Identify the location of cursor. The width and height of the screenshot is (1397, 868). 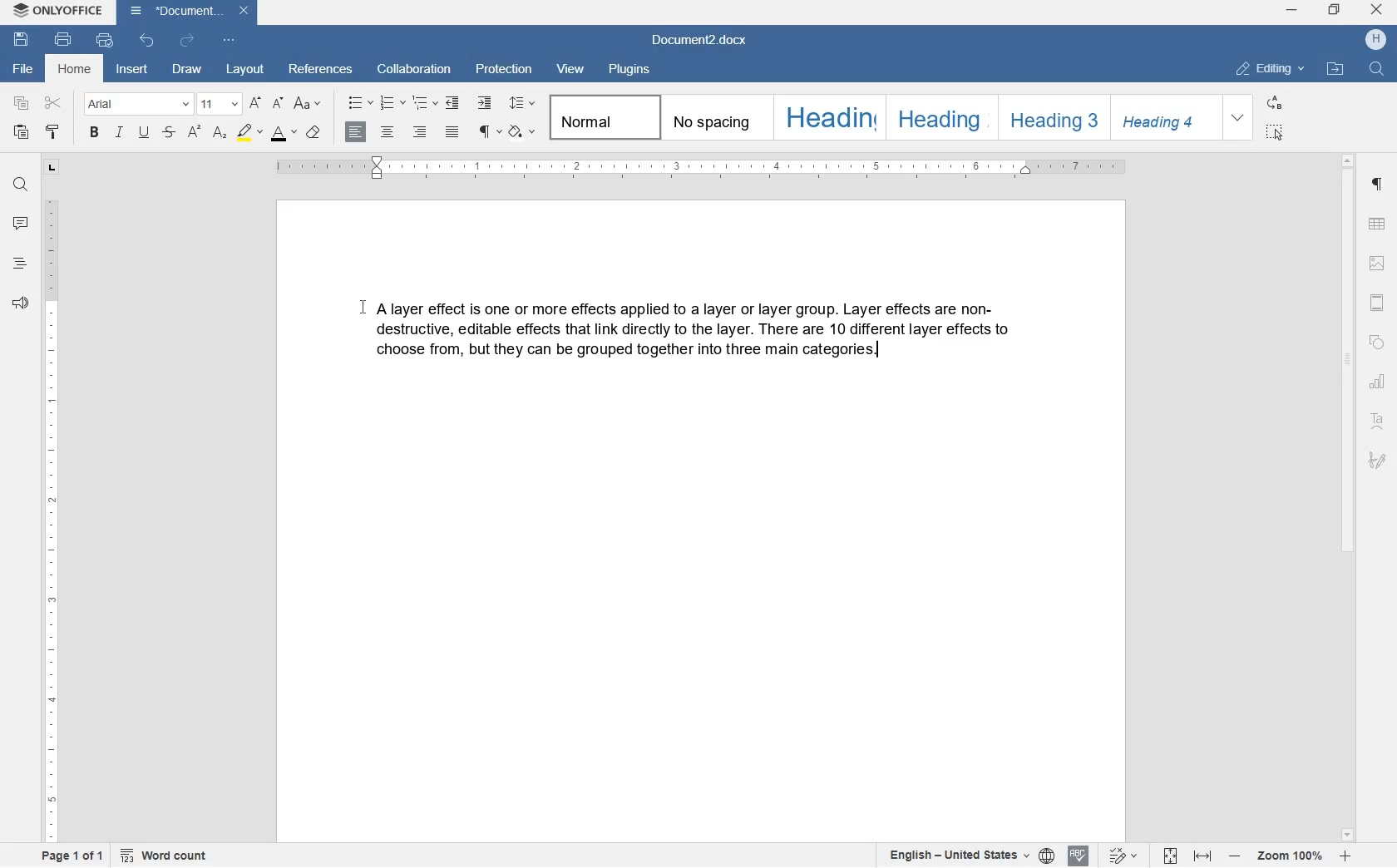
(363, 308).